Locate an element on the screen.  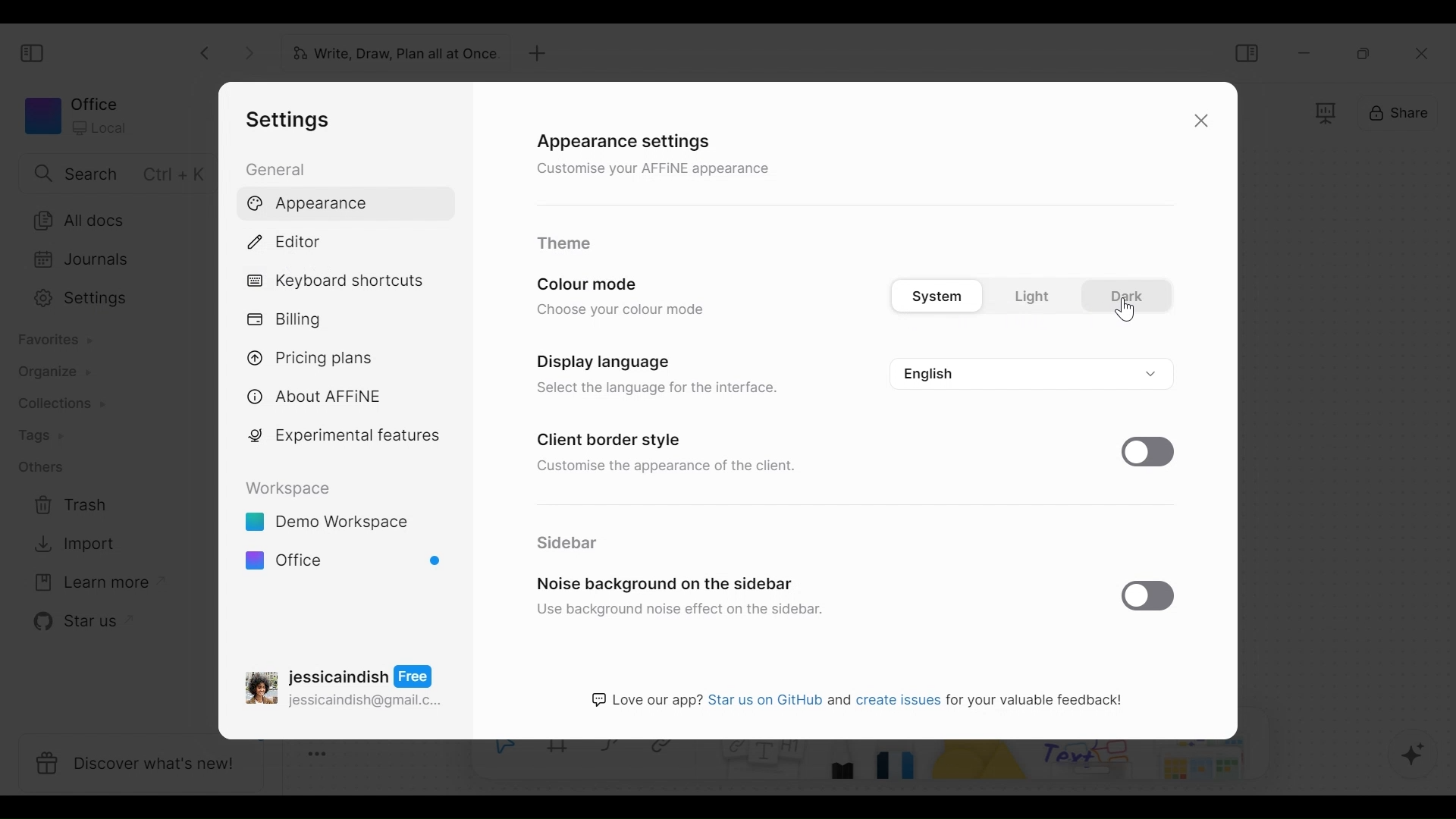
Sidebar is located at coordinates (571, 542).